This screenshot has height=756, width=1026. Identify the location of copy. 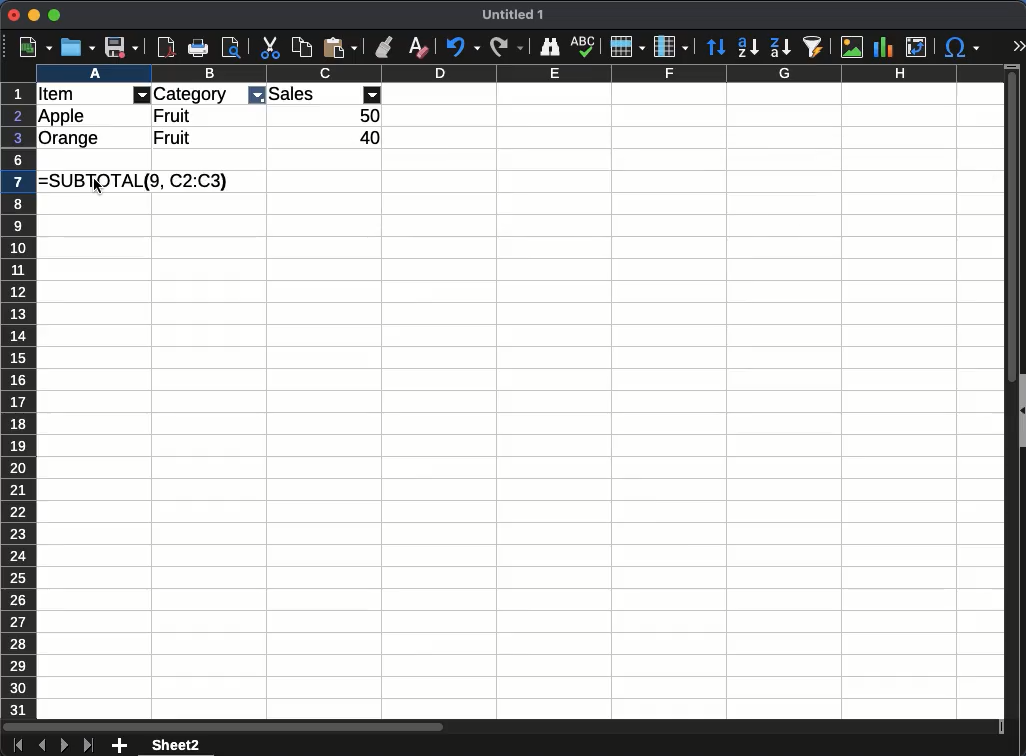
(301, 49).